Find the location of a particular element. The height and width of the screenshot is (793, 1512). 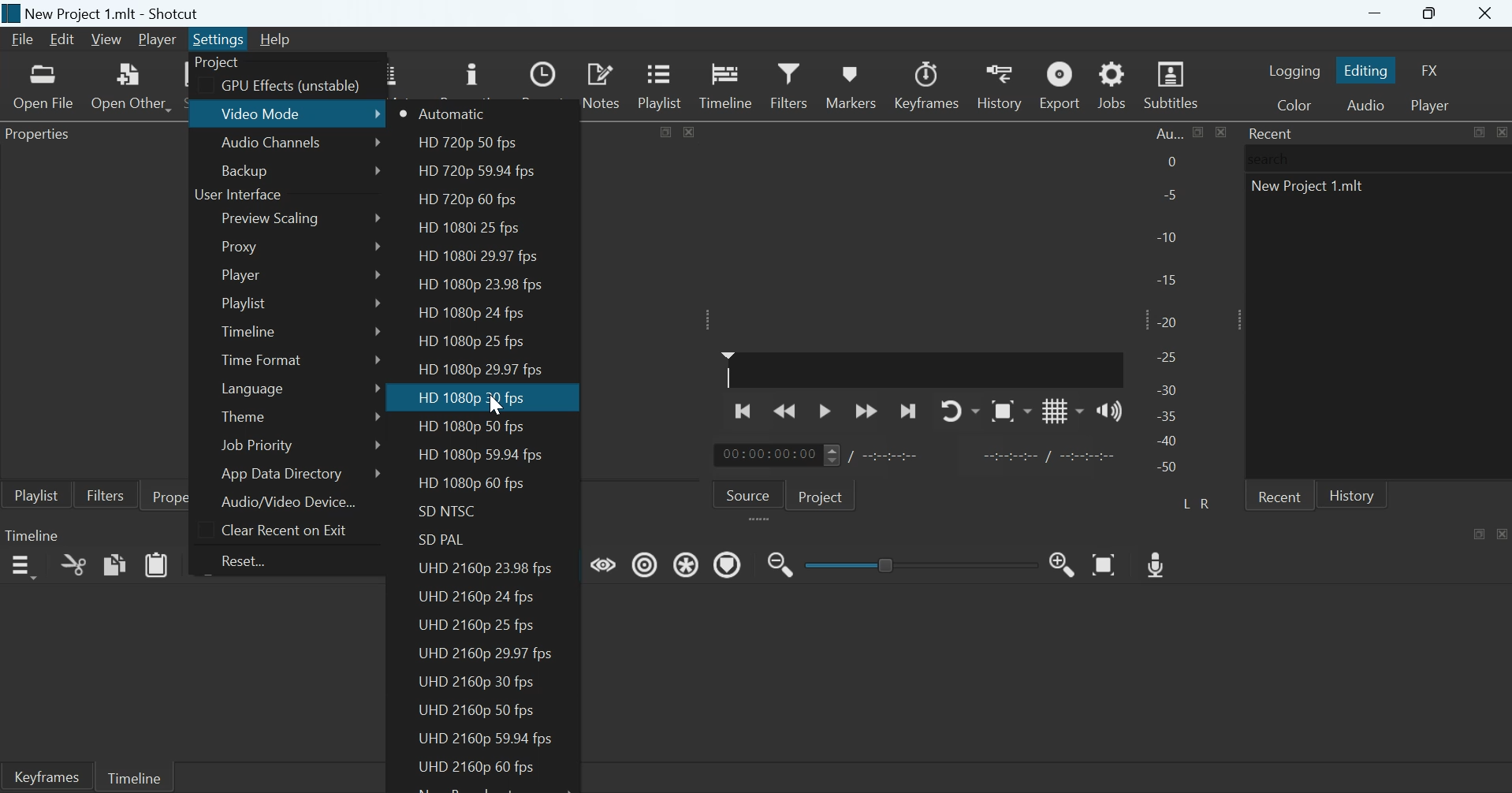

Toggle is located at coordinates (888, 563).